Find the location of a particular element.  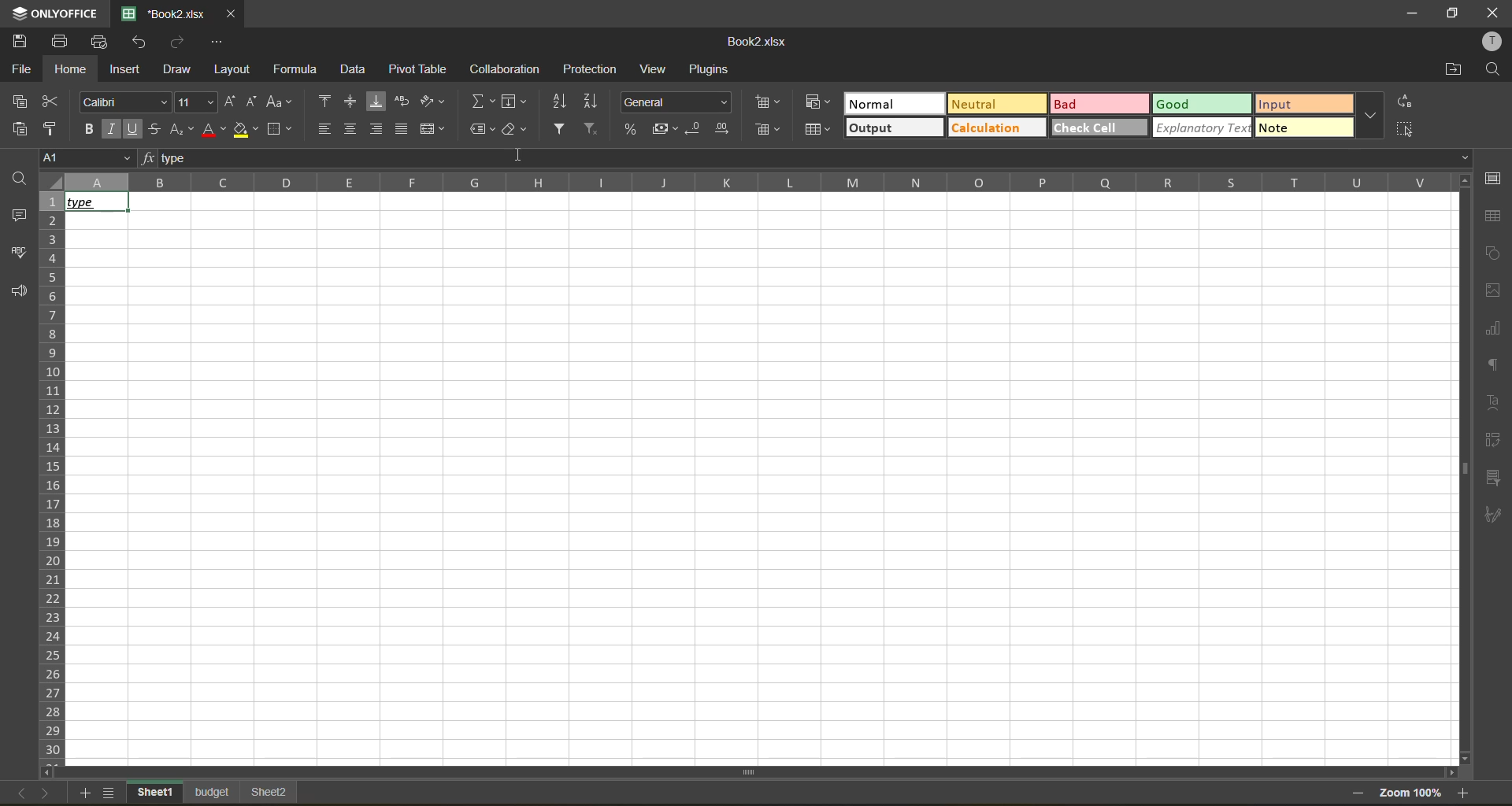

font color is located at coordinates (213, 131).